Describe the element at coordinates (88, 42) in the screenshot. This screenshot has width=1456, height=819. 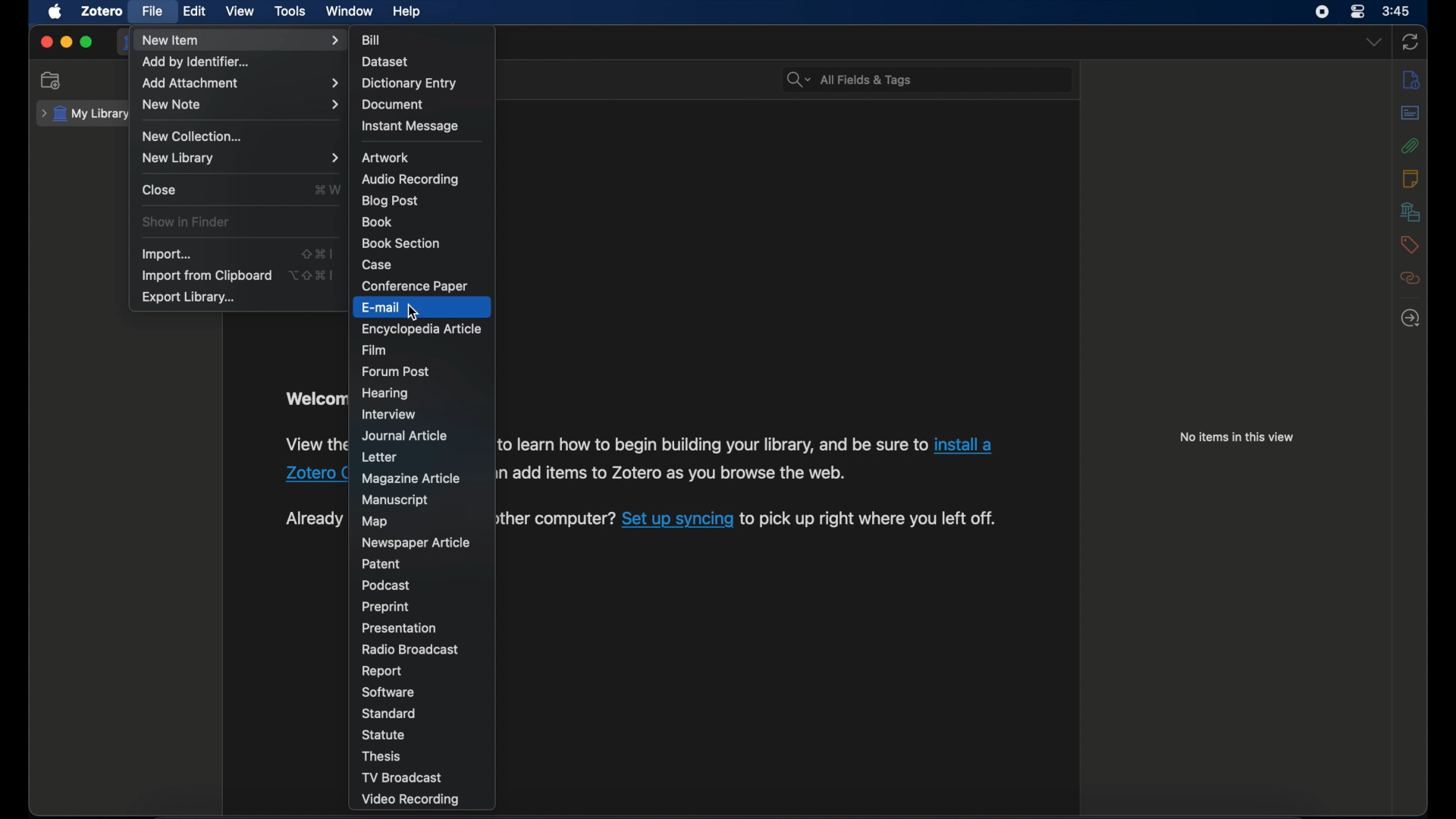
I see `maximize` at that location.